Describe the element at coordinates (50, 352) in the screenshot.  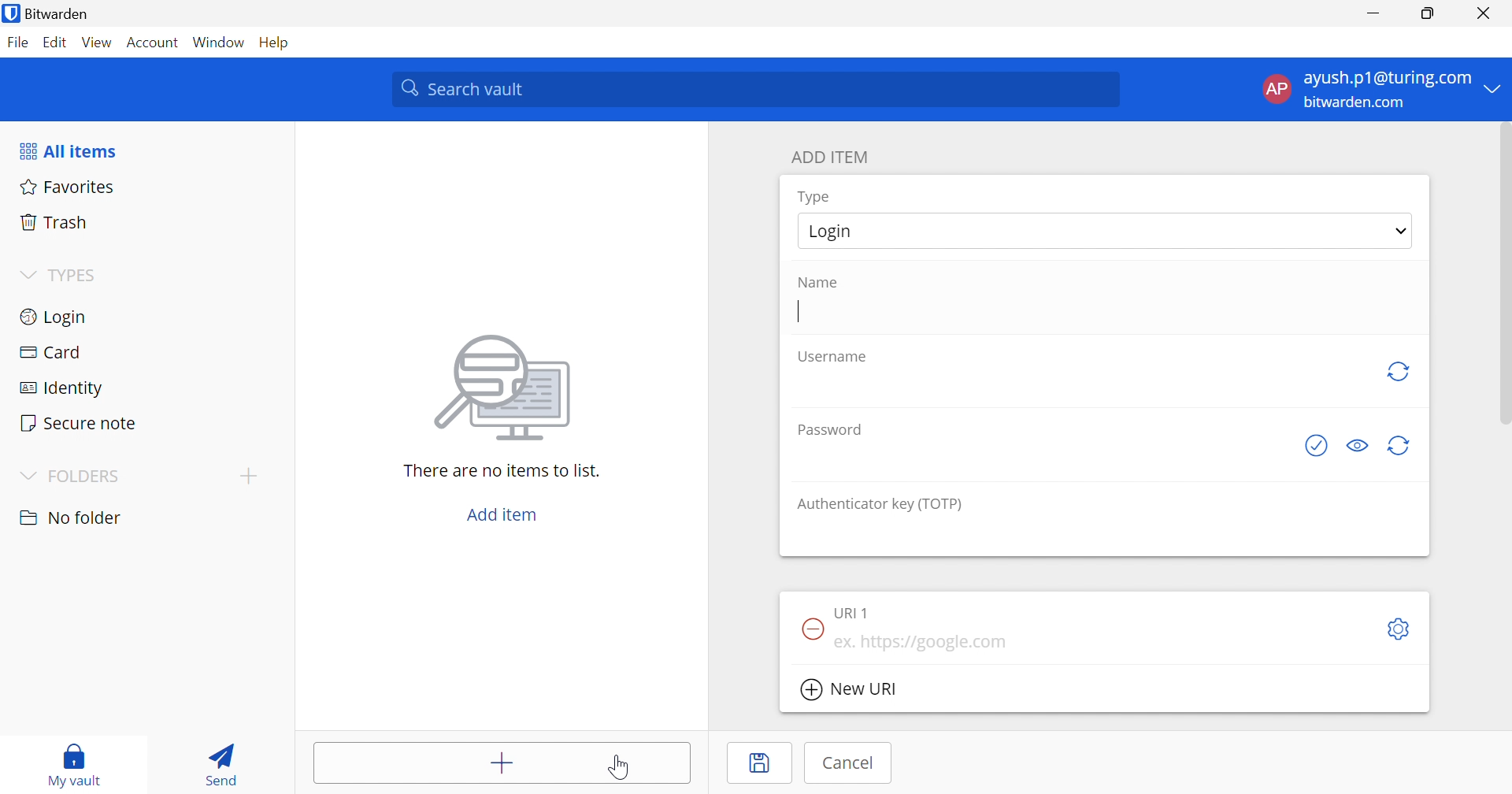
I see `Card` at that location.